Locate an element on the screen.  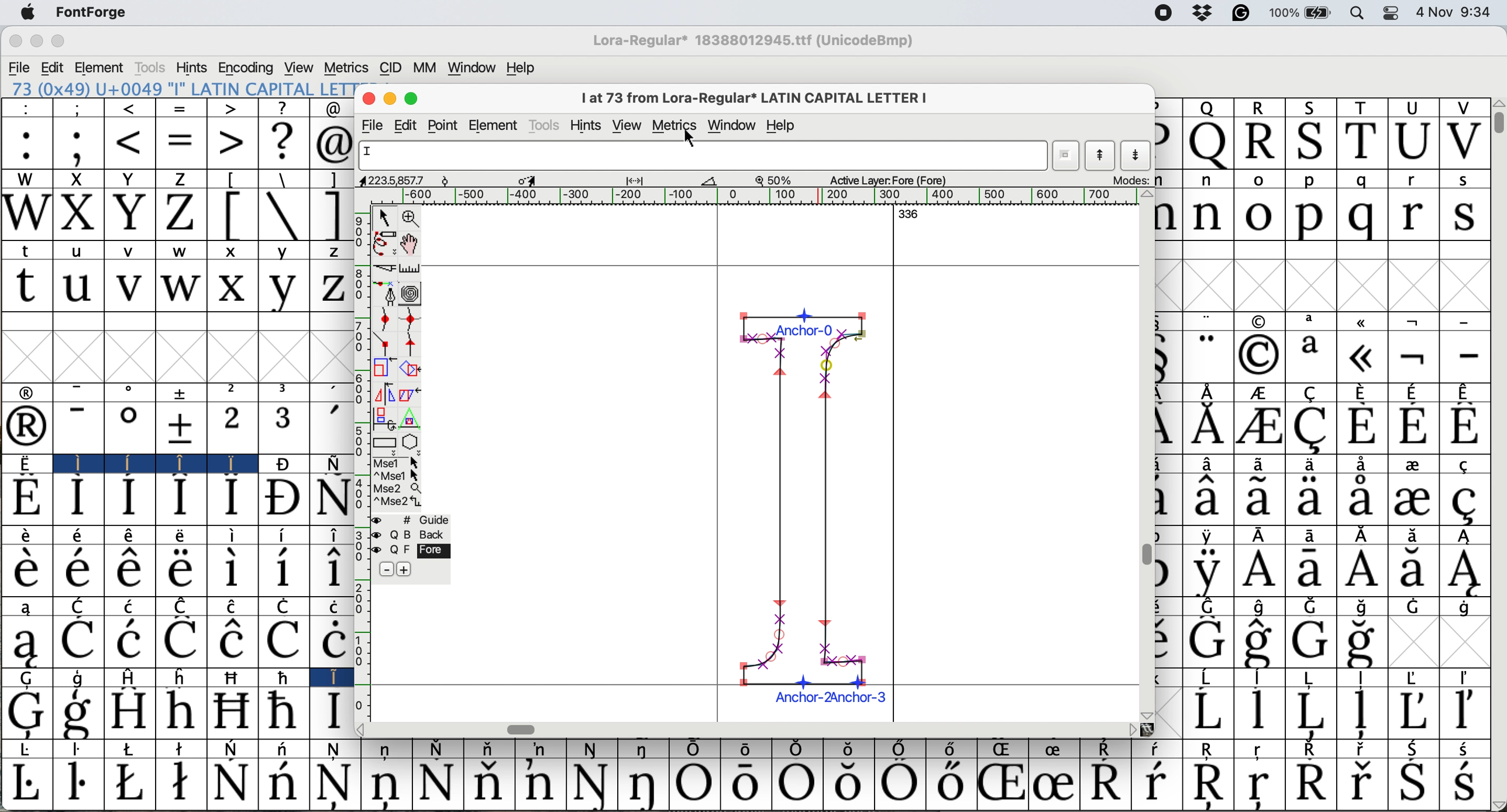
Symbol is located at coordinates (1261, 499).